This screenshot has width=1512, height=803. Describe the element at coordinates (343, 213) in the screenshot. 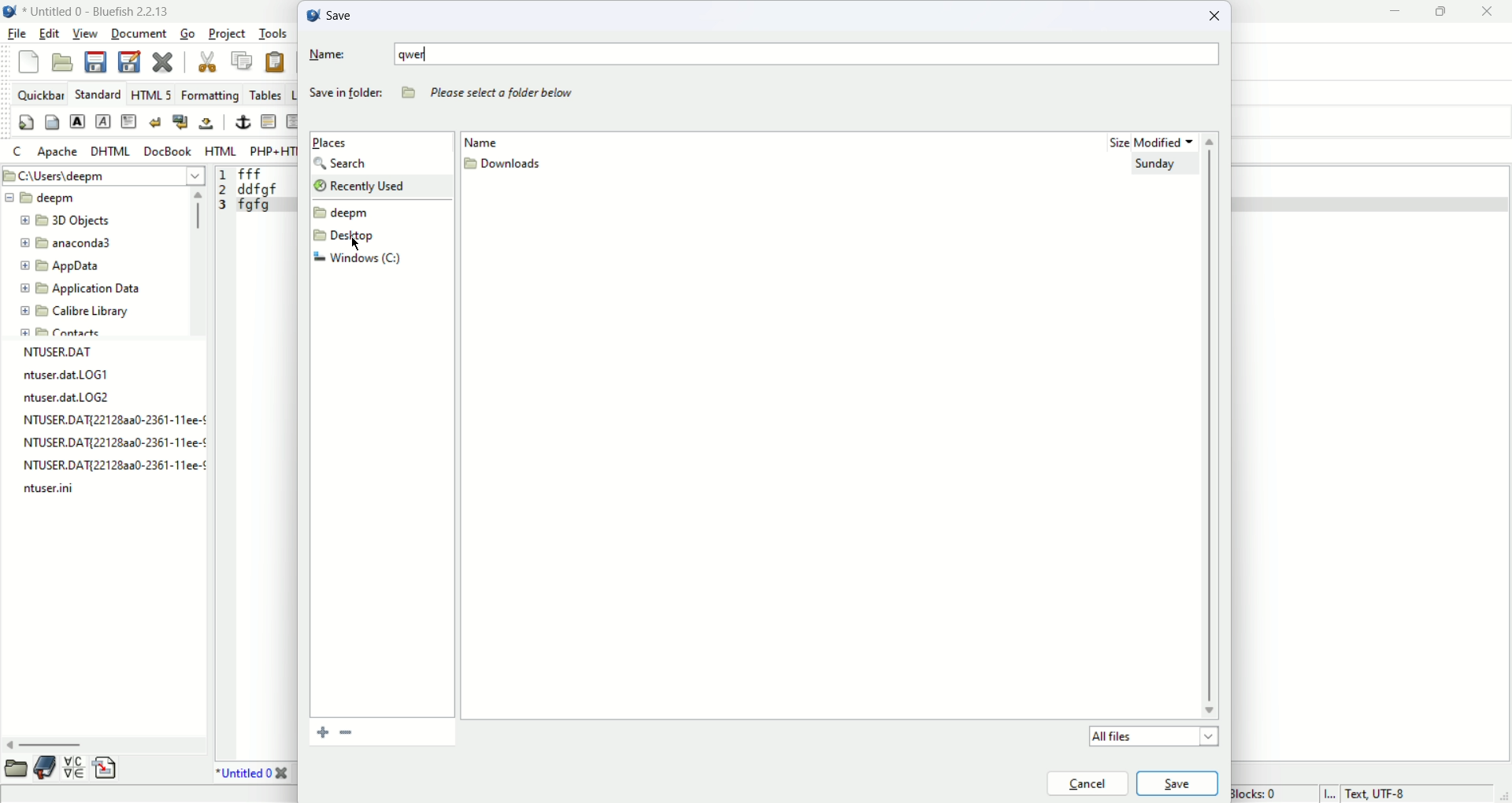

I see `deepm` at that location.